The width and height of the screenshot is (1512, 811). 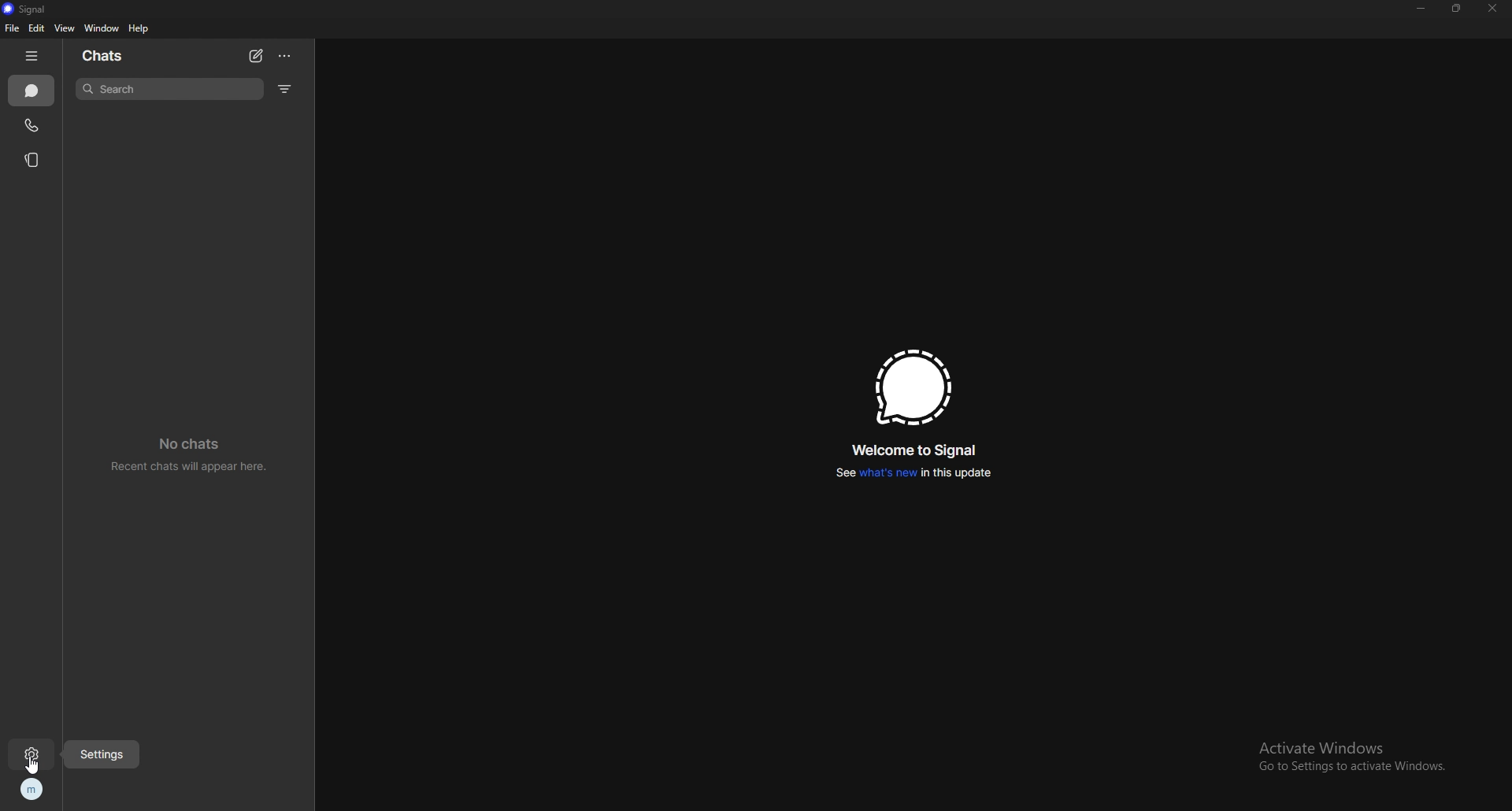 I want to click on view, so click(x=65, y=28).